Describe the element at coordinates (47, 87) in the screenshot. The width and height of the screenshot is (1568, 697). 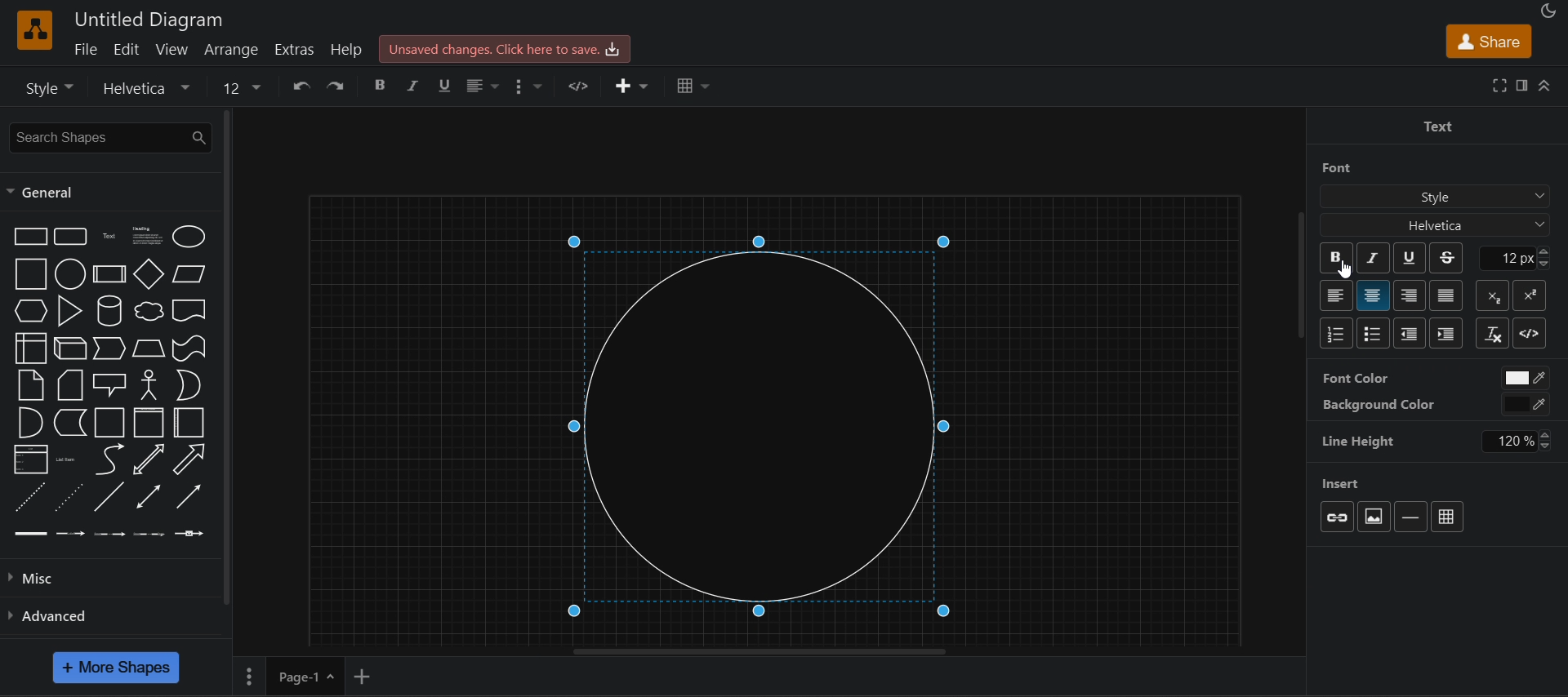
I see `style` at that location.